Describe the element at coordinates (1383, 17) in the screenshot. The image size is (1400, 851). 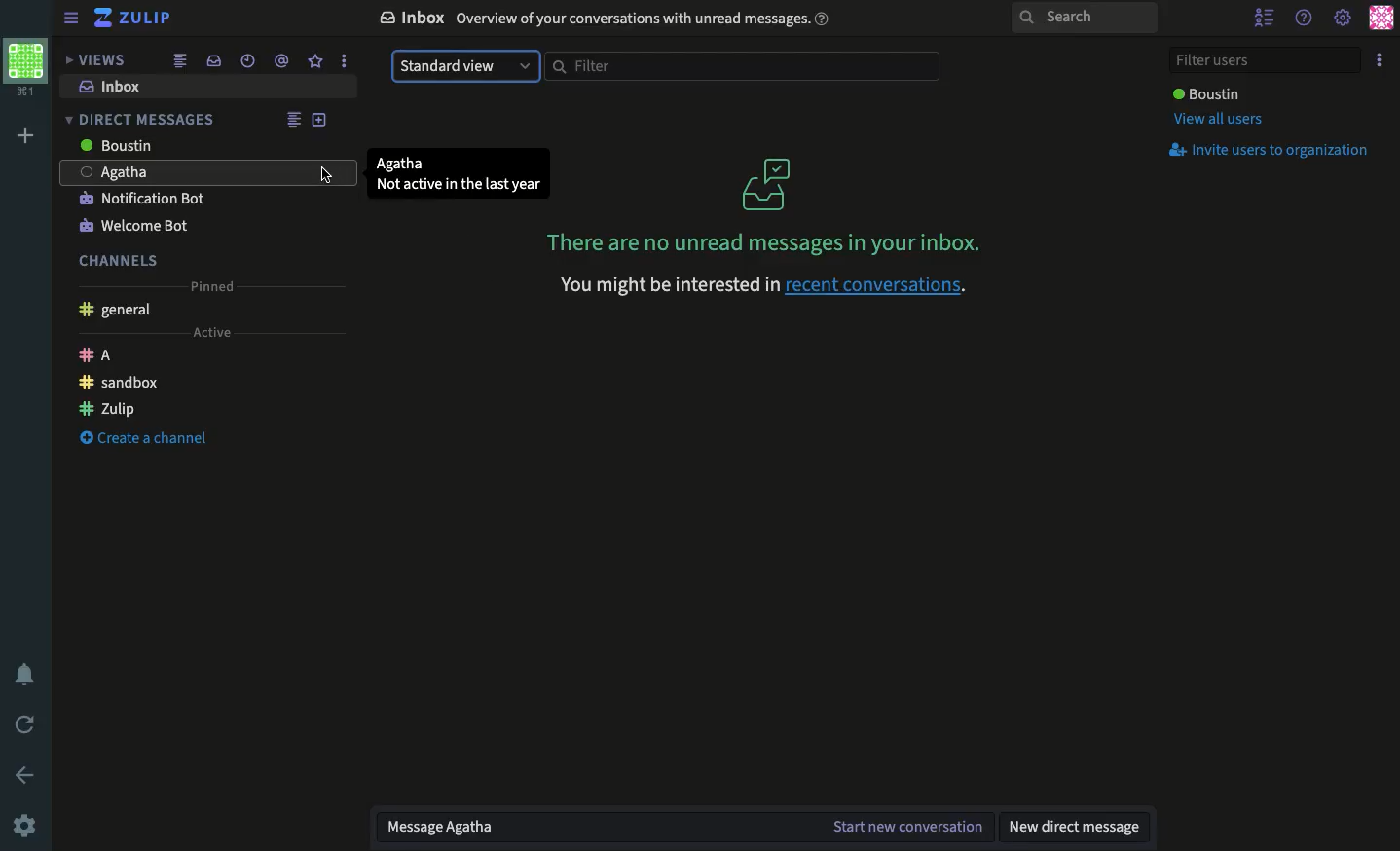
I see `Profile` at that location.